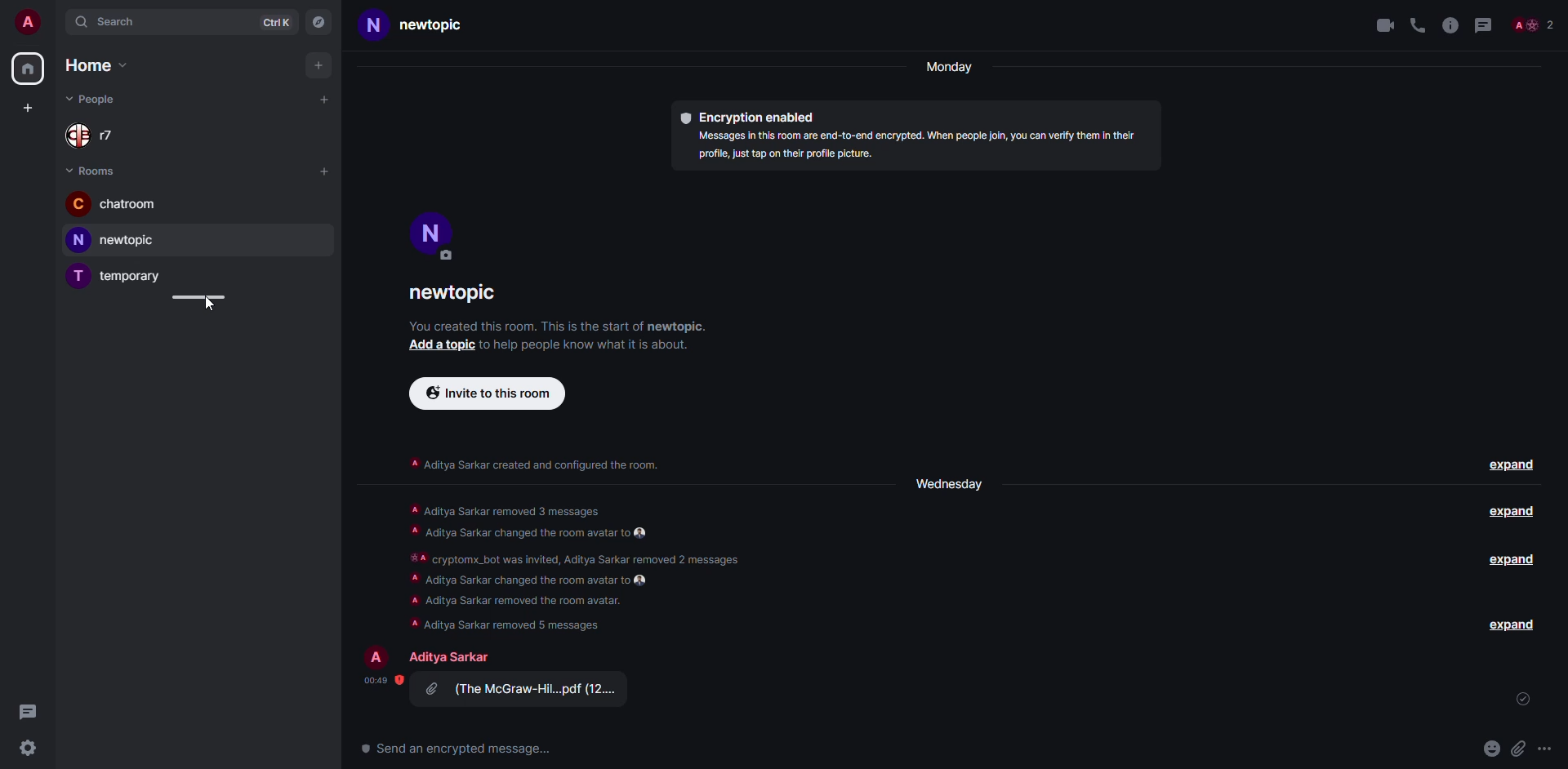 The height and width of the screenshot is (769, 1568). What do you see at coordinates (378, 656) in the screenshot?
I see `profile` at bounding box center [378, 656].